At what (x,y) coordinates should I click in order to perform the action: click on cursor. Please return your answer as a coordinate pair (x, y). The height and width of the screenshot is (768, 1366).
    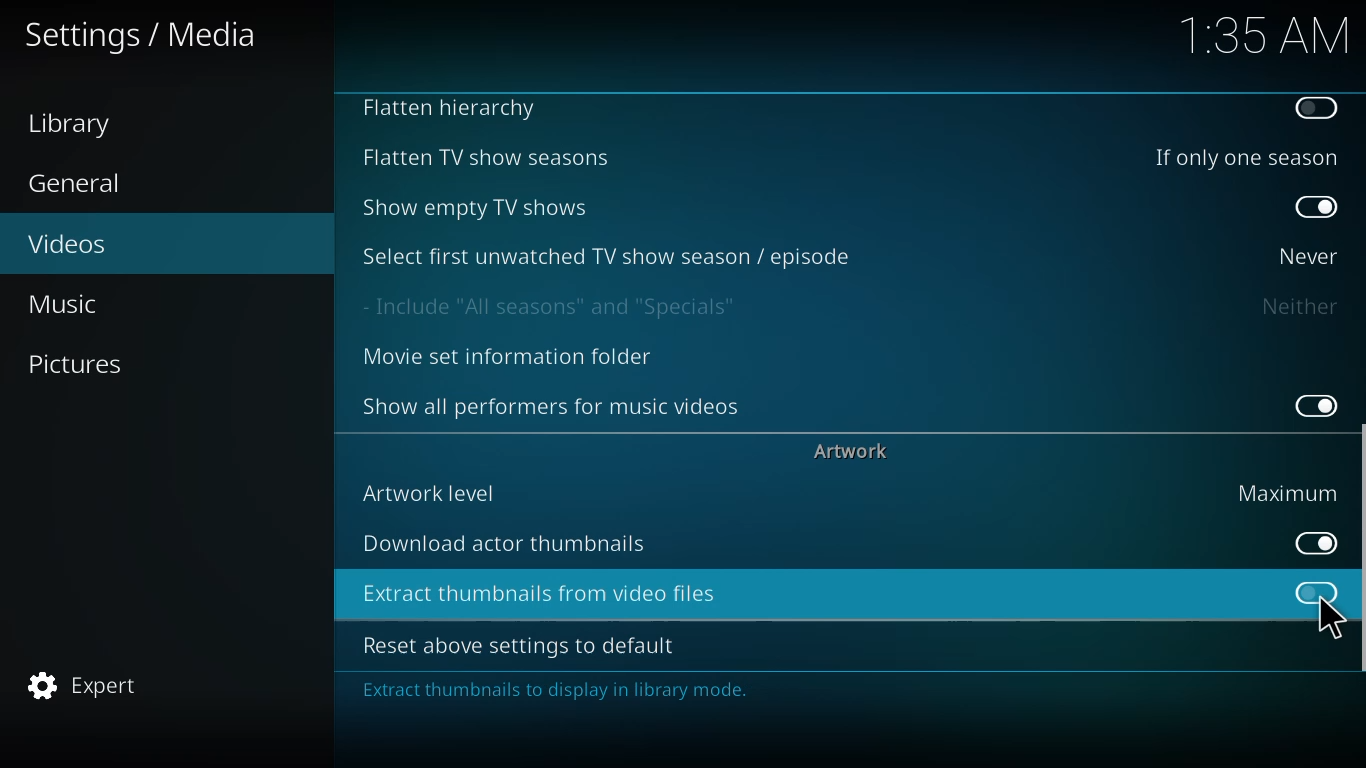
    Looking at the image, I should click on (1331, 618).